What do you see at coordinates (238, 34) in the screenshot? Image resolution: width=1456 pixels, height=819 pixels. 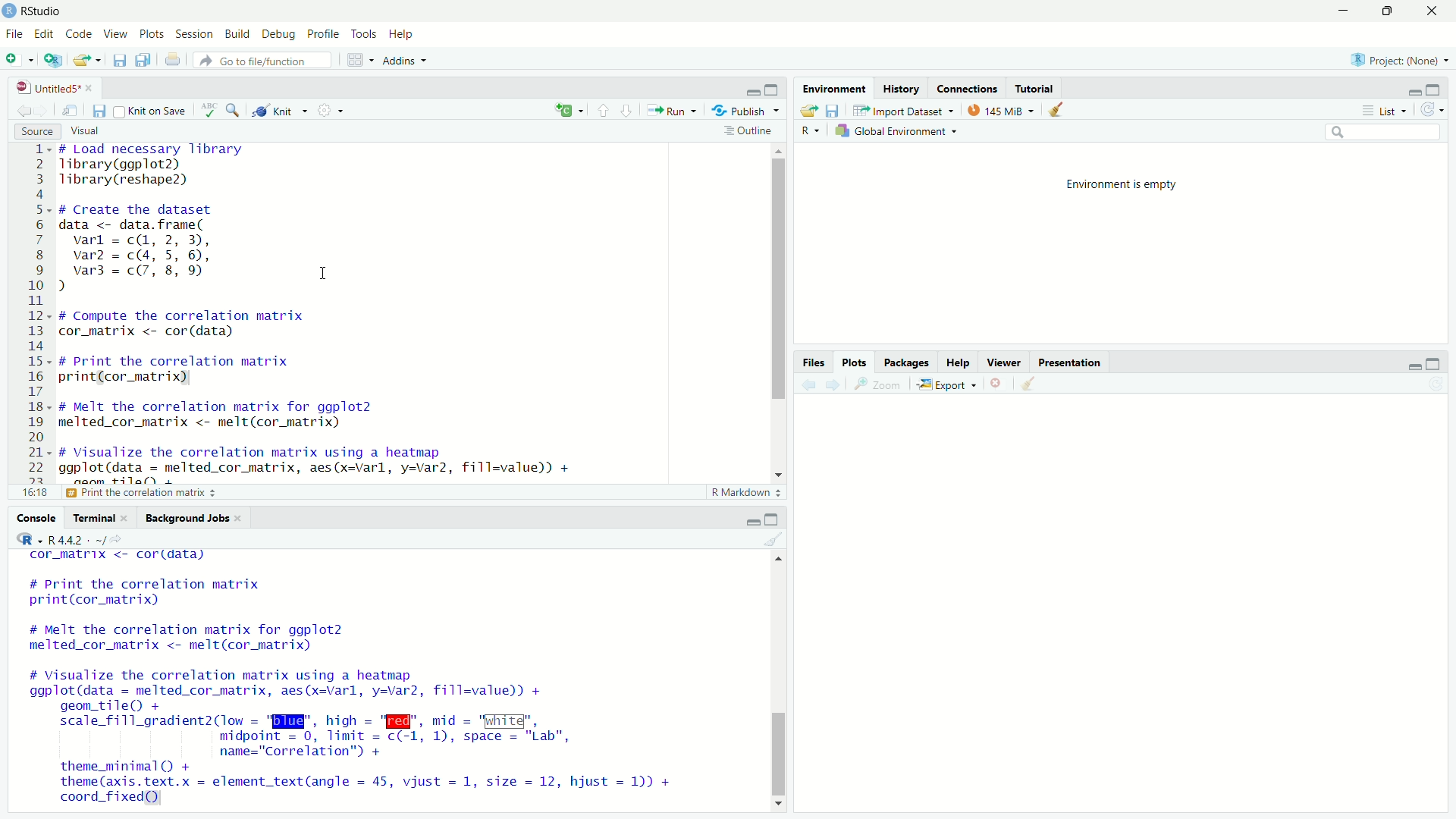 I see `build` at bounding box center [238, 34].